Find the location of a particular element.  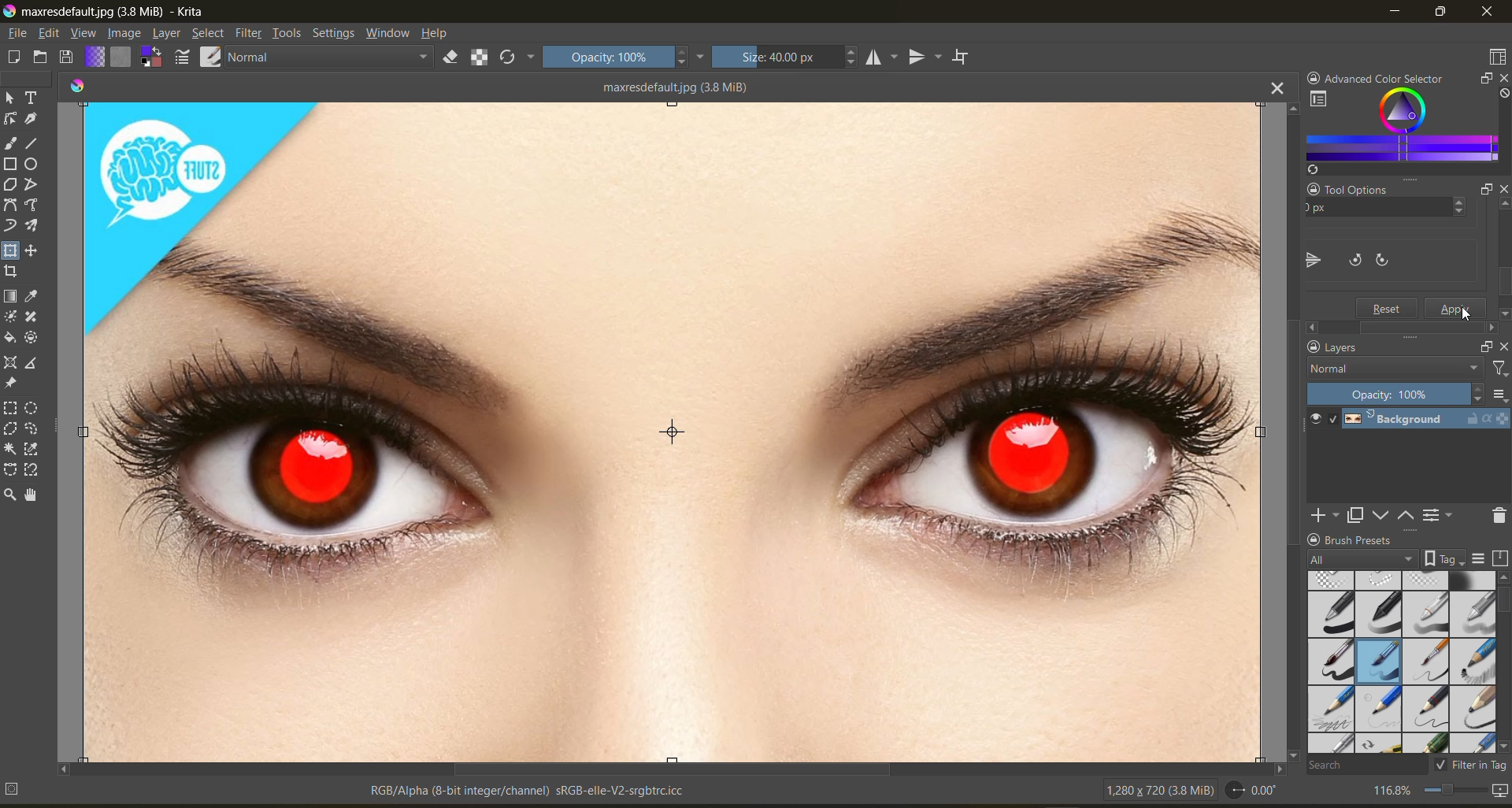

save is located at coordinates (69, 57).